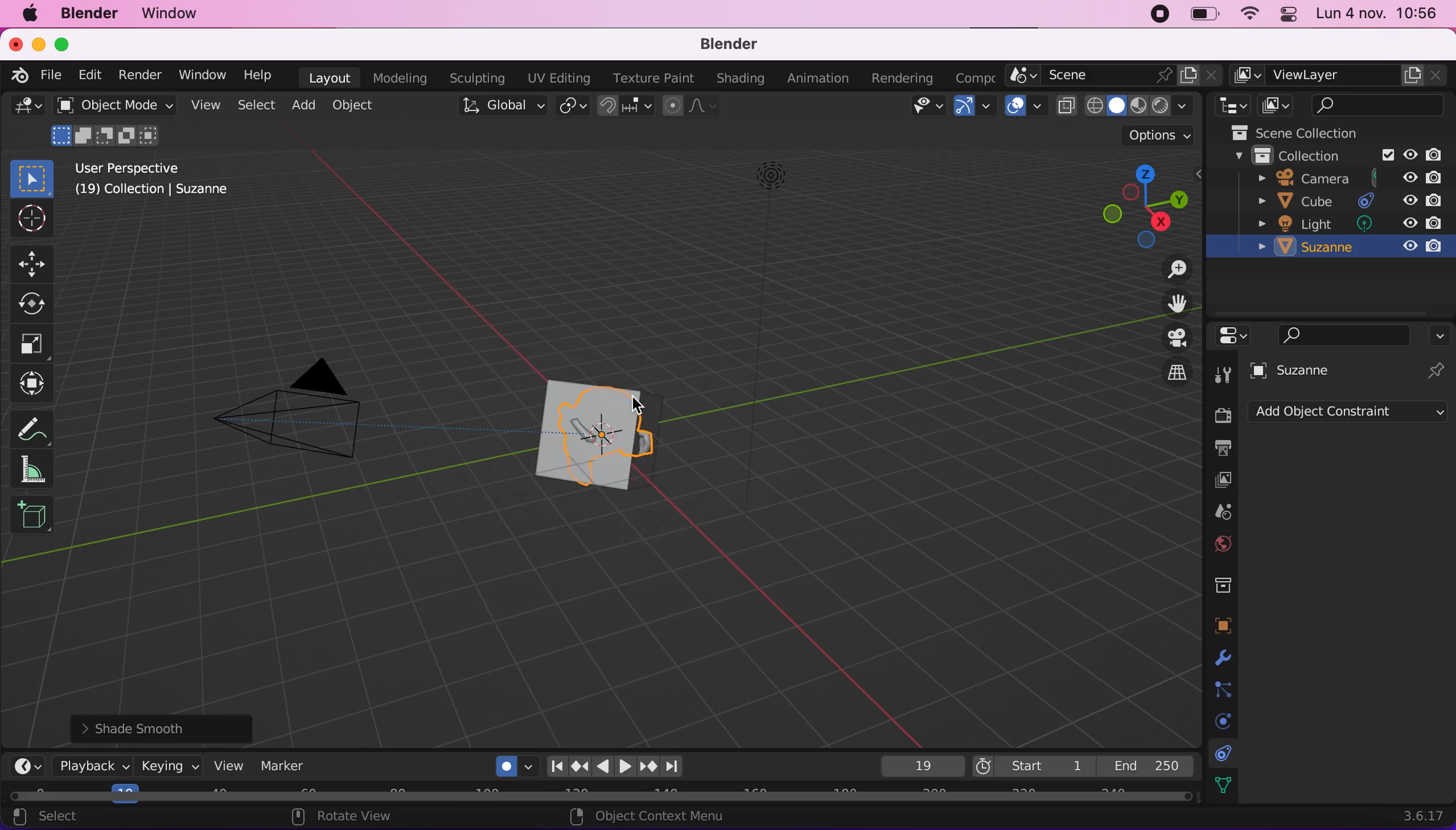  I want to click on light, so click(1347, 223).